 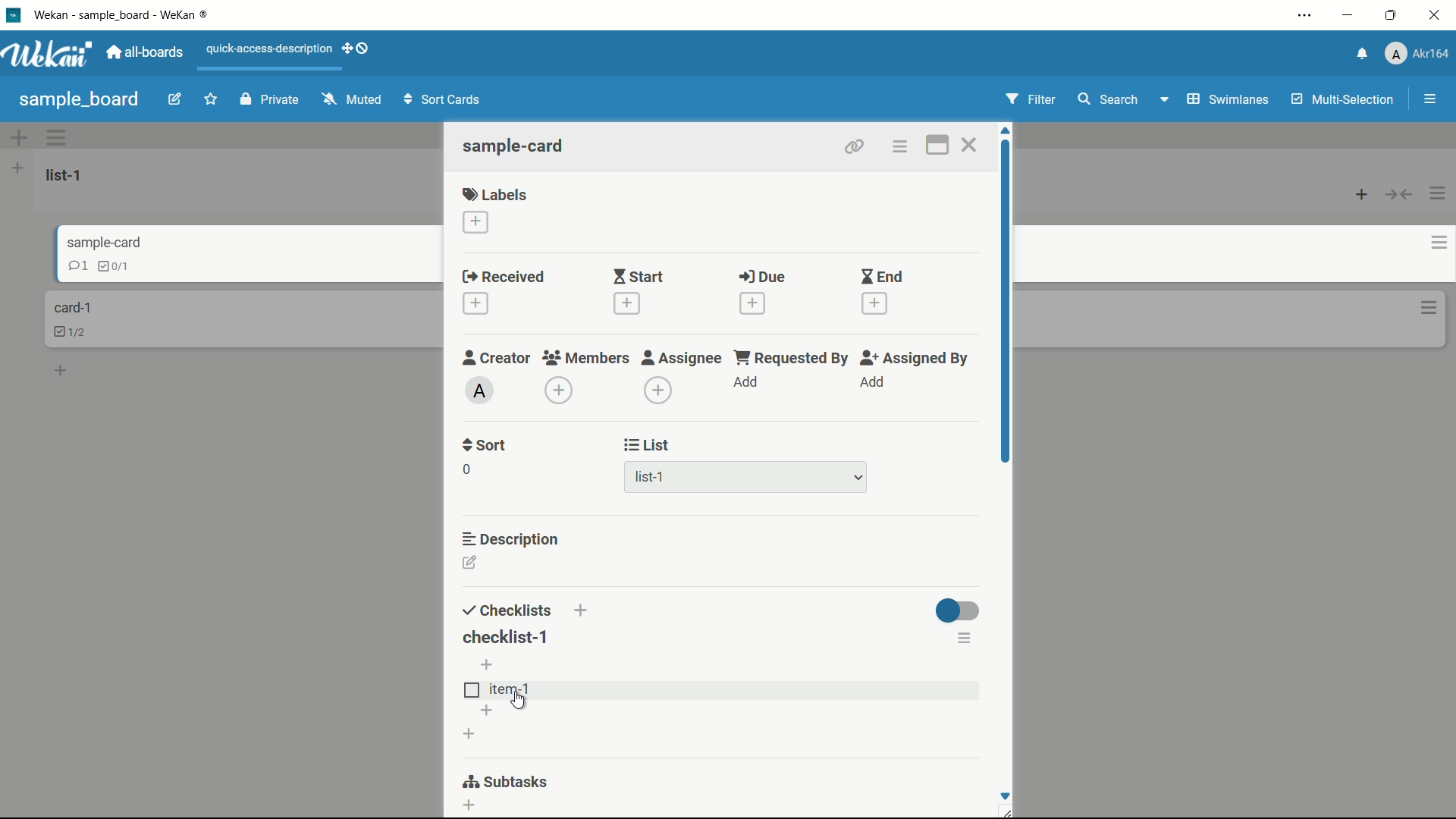 What do you see at coordinates (1428, 243) in the screenshot?
I see `card actions` at bounding box center [1428, 243].